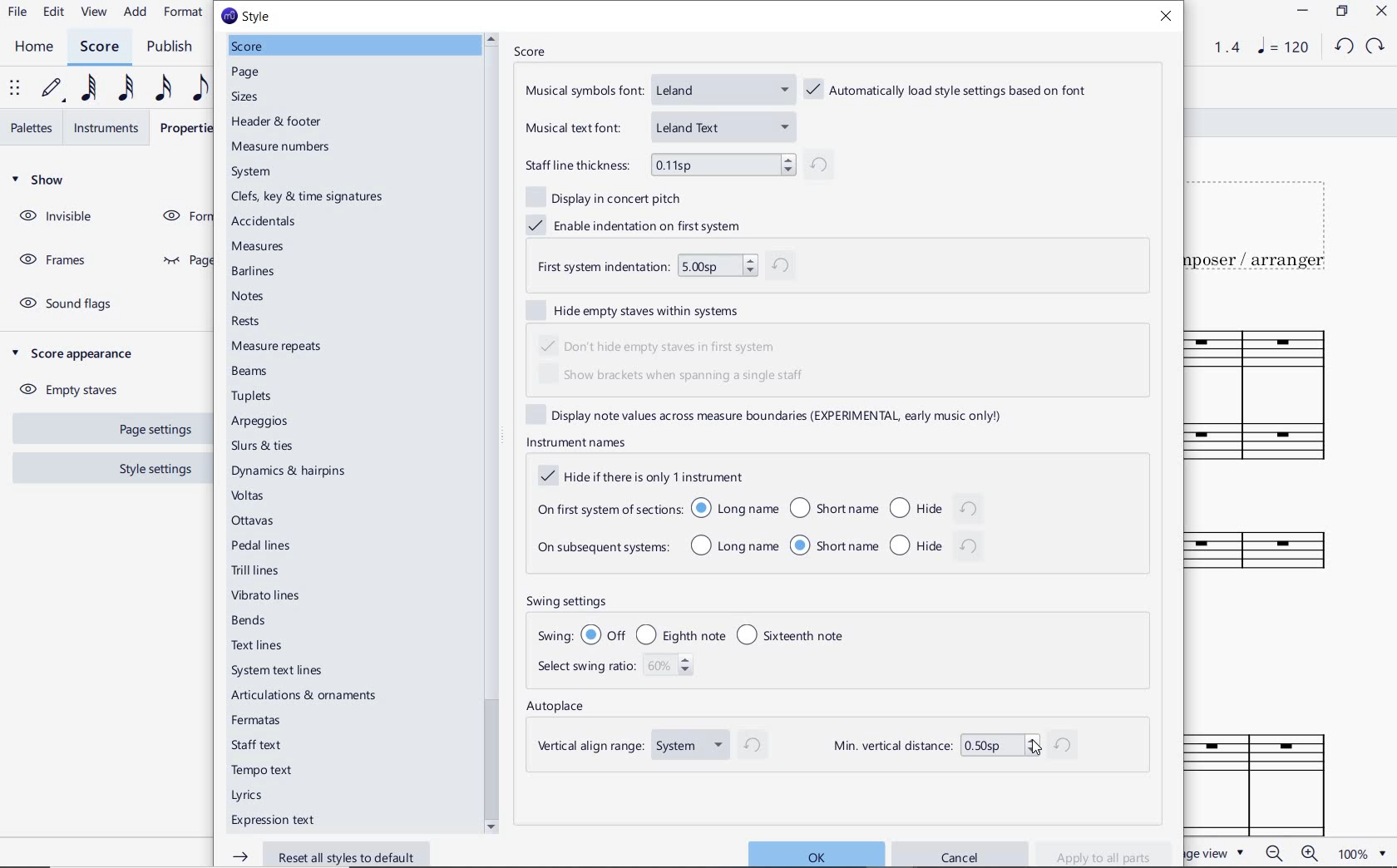 The image size is (1397, 868). I want to click on tuplets, so click(252, 397).